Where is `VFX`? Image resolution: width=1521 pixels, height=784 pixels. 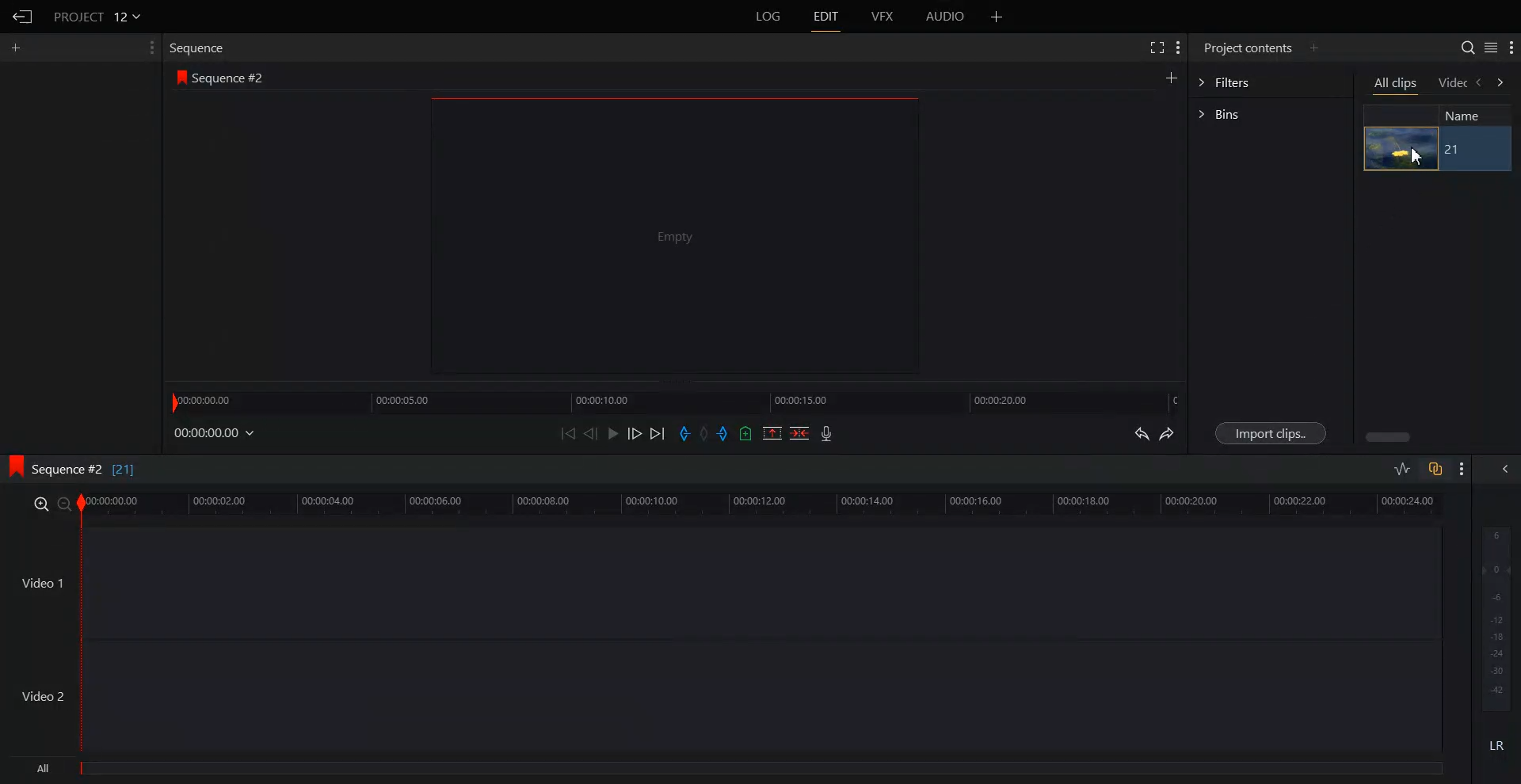 VFX is located at coordinates (884, 17).